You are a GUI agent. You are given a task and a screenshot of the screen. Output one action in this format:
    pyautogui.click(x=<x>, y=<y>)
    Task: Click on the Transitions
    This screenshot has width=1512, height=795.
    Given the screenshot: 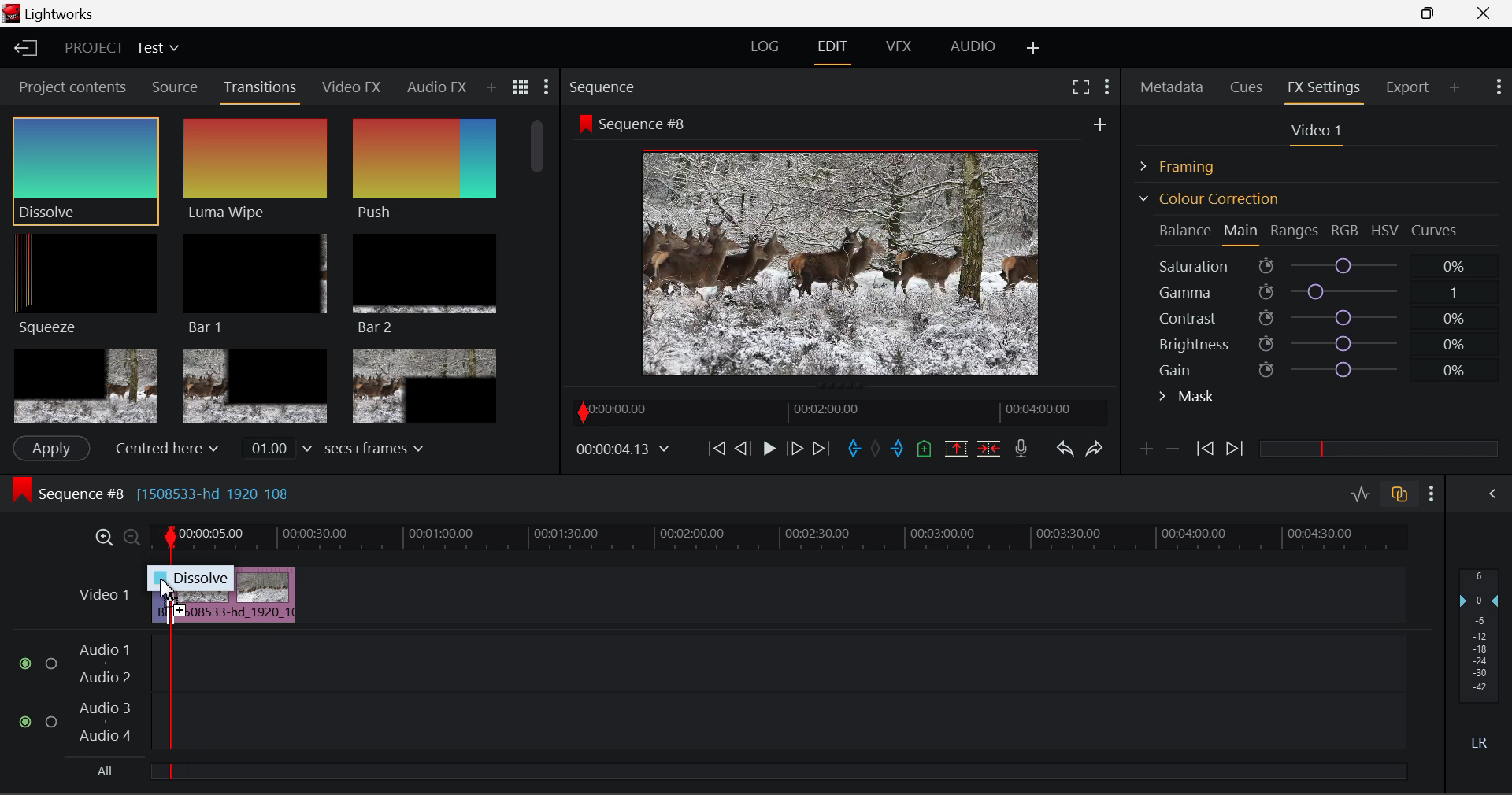 What is the action you would take?
    pyautogui.click(x=261, y=89)
    